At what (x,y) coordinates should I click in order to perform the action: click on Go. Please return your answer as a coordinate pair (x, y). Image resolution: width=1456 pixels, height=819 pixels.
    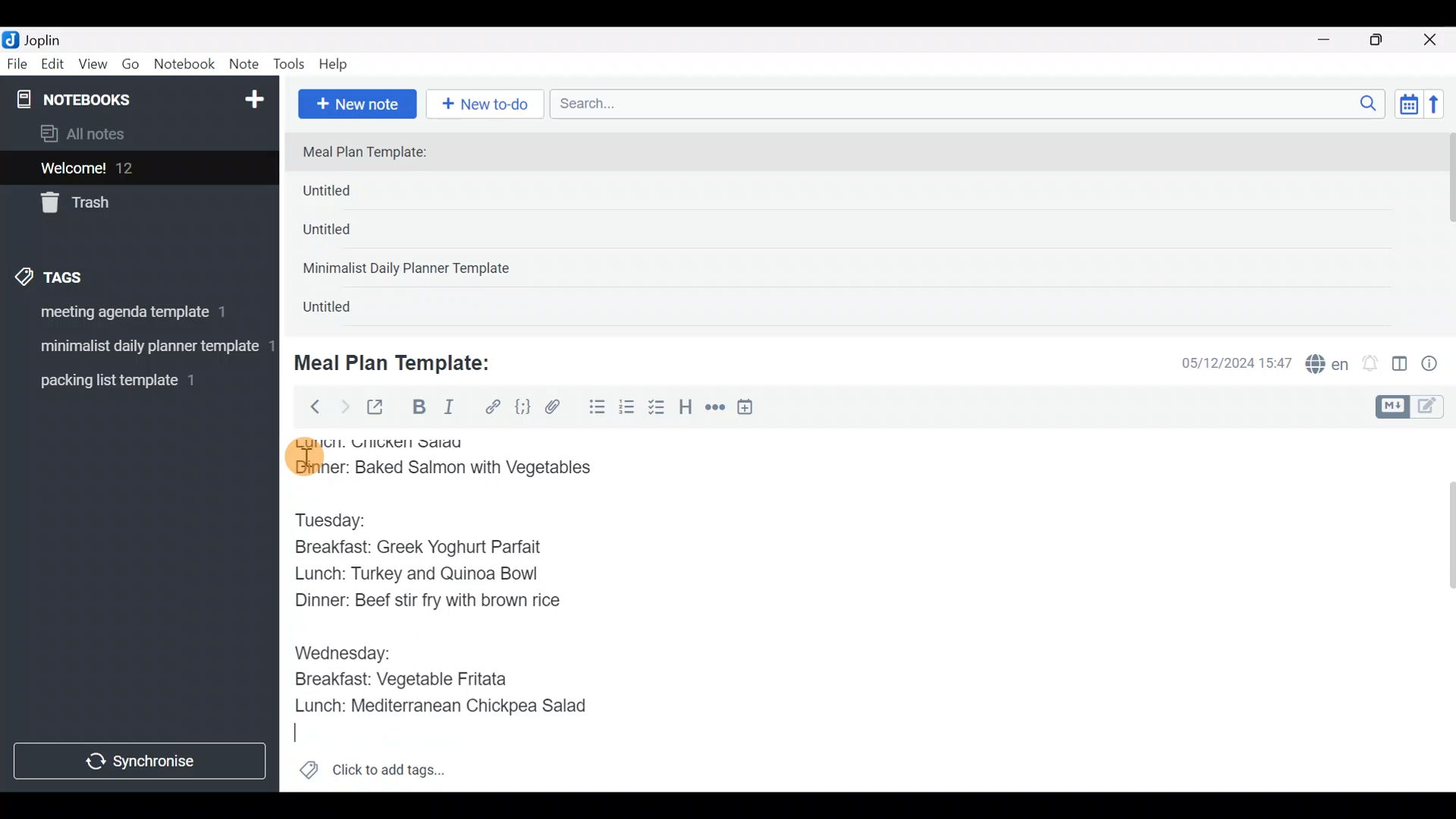
    Looking at the image, I should click on (130, 67).